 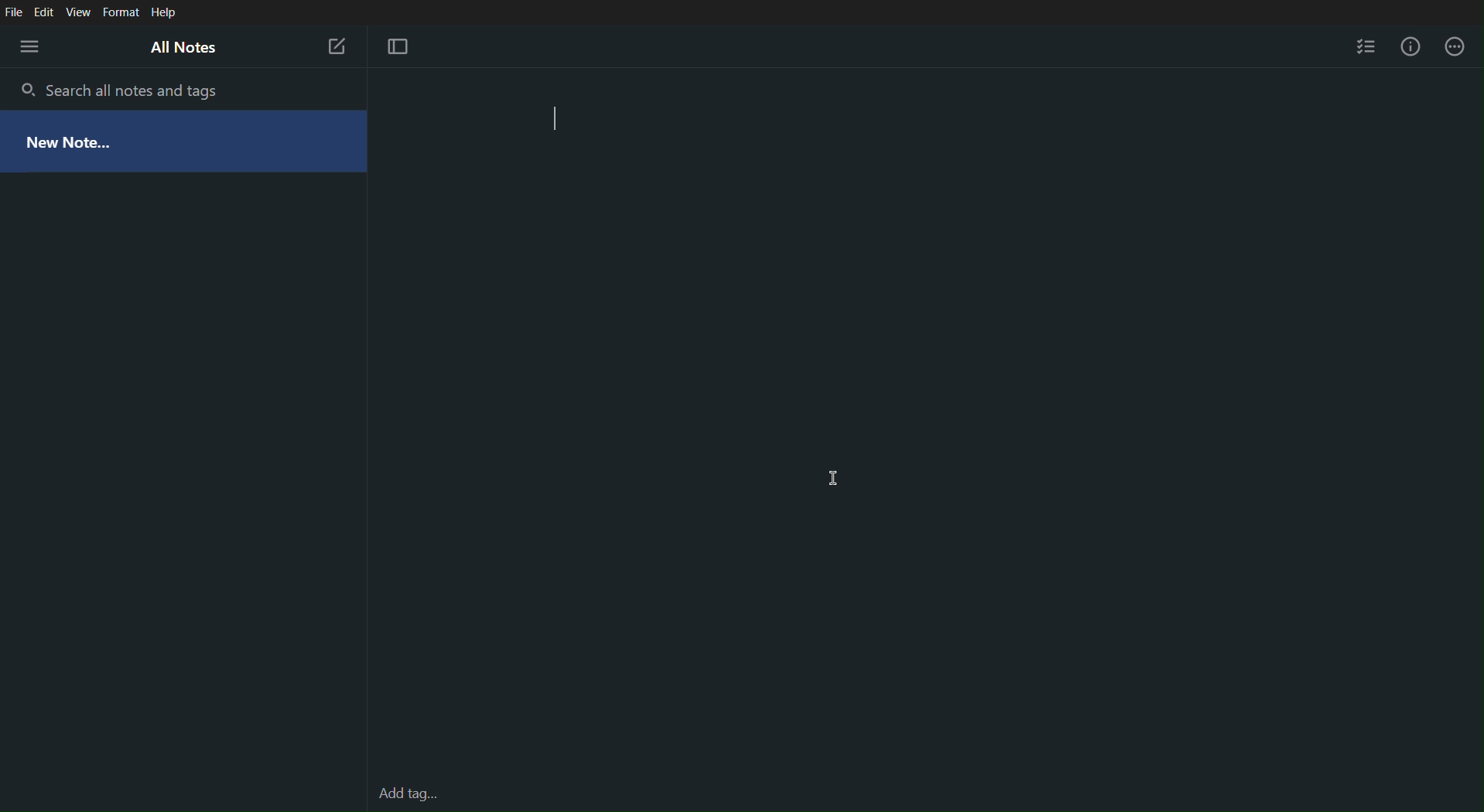 What do you see at coordinates (46, 12) in the screenshot?
I see `Edit` at bounding box center [46, 12].